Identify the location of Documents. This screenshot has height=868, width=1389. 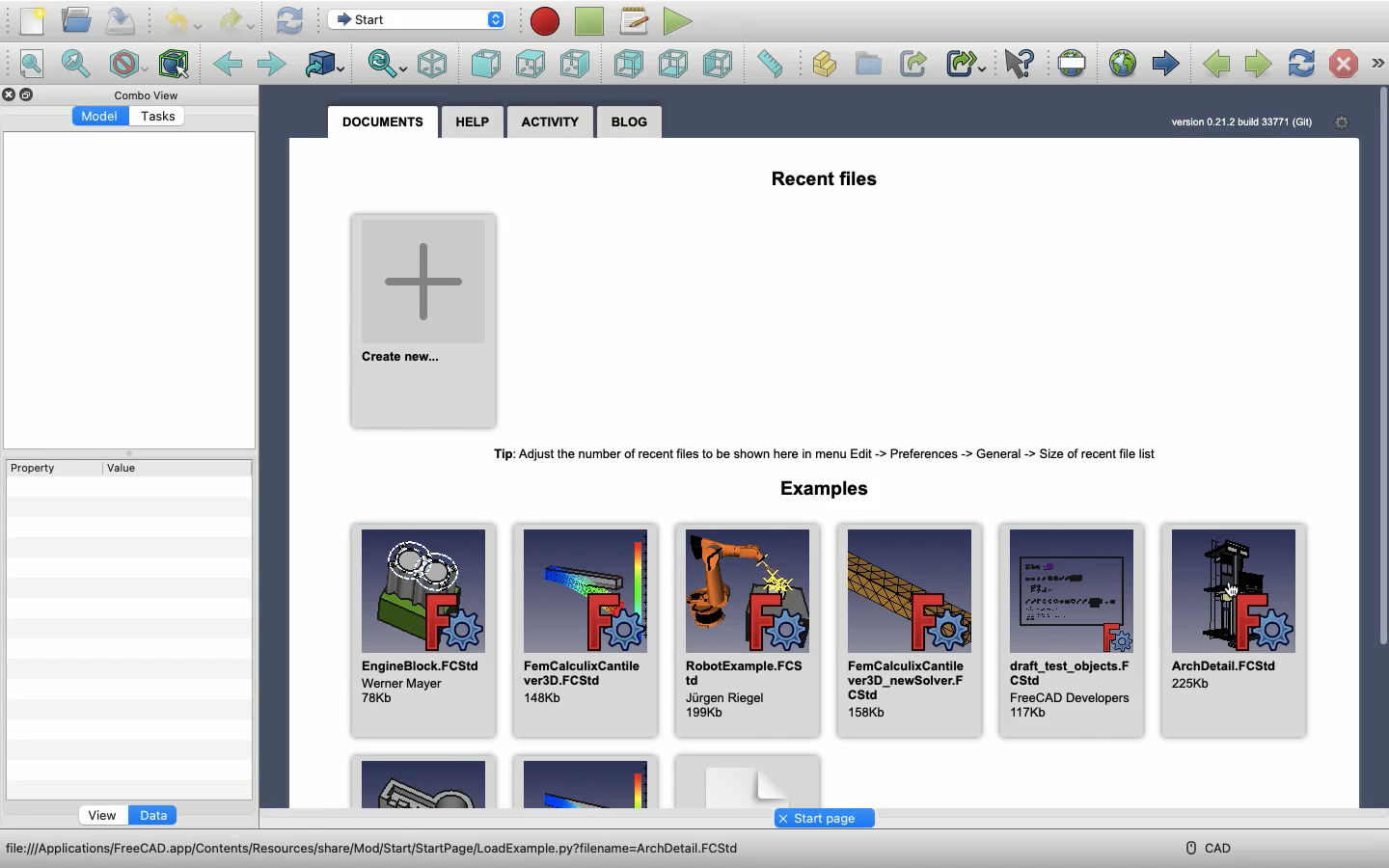
(381, 121).